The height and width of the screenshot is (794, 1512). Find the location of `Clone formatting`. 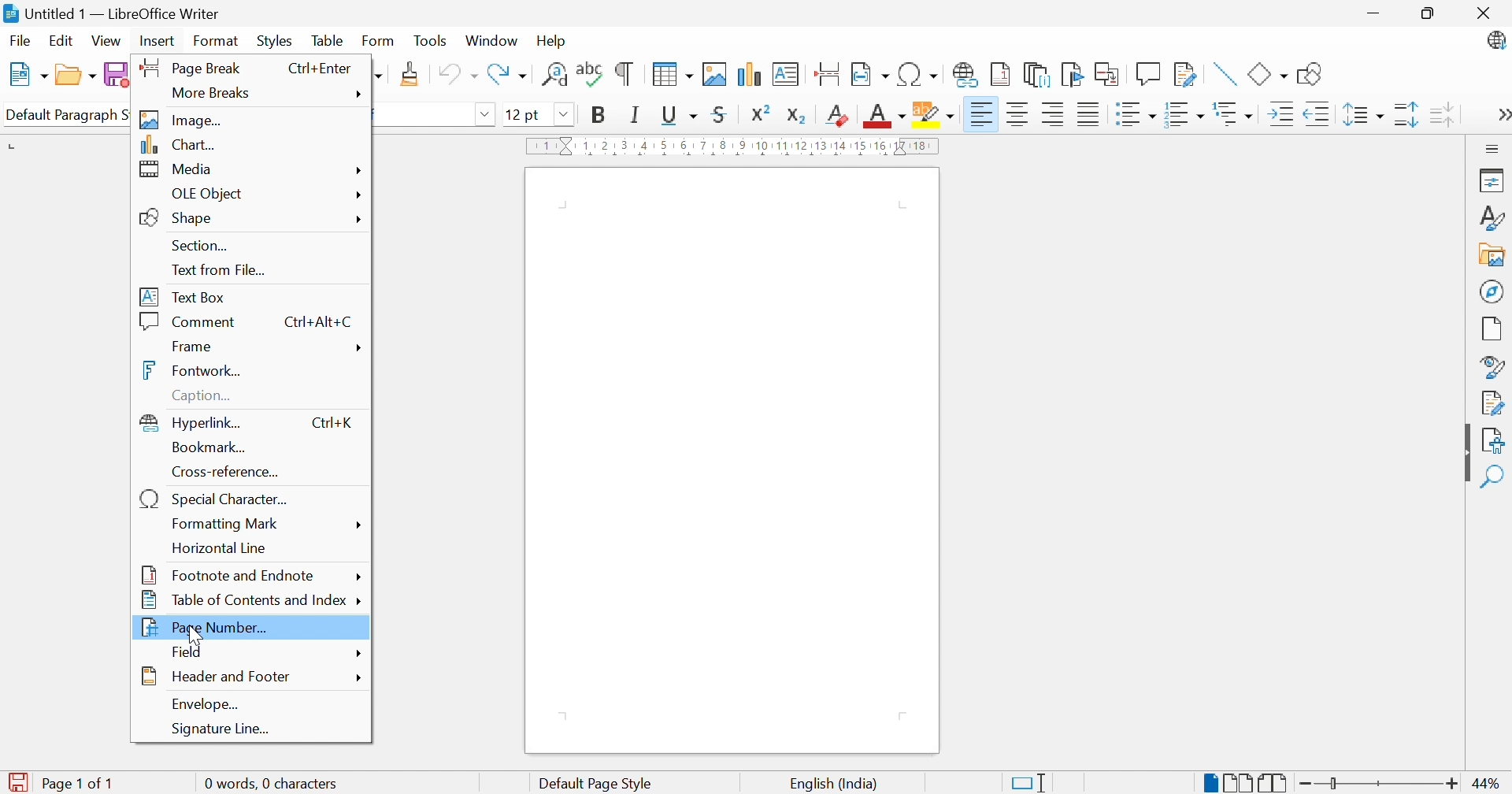

Clone formatting is located at coordinates (410, 74).